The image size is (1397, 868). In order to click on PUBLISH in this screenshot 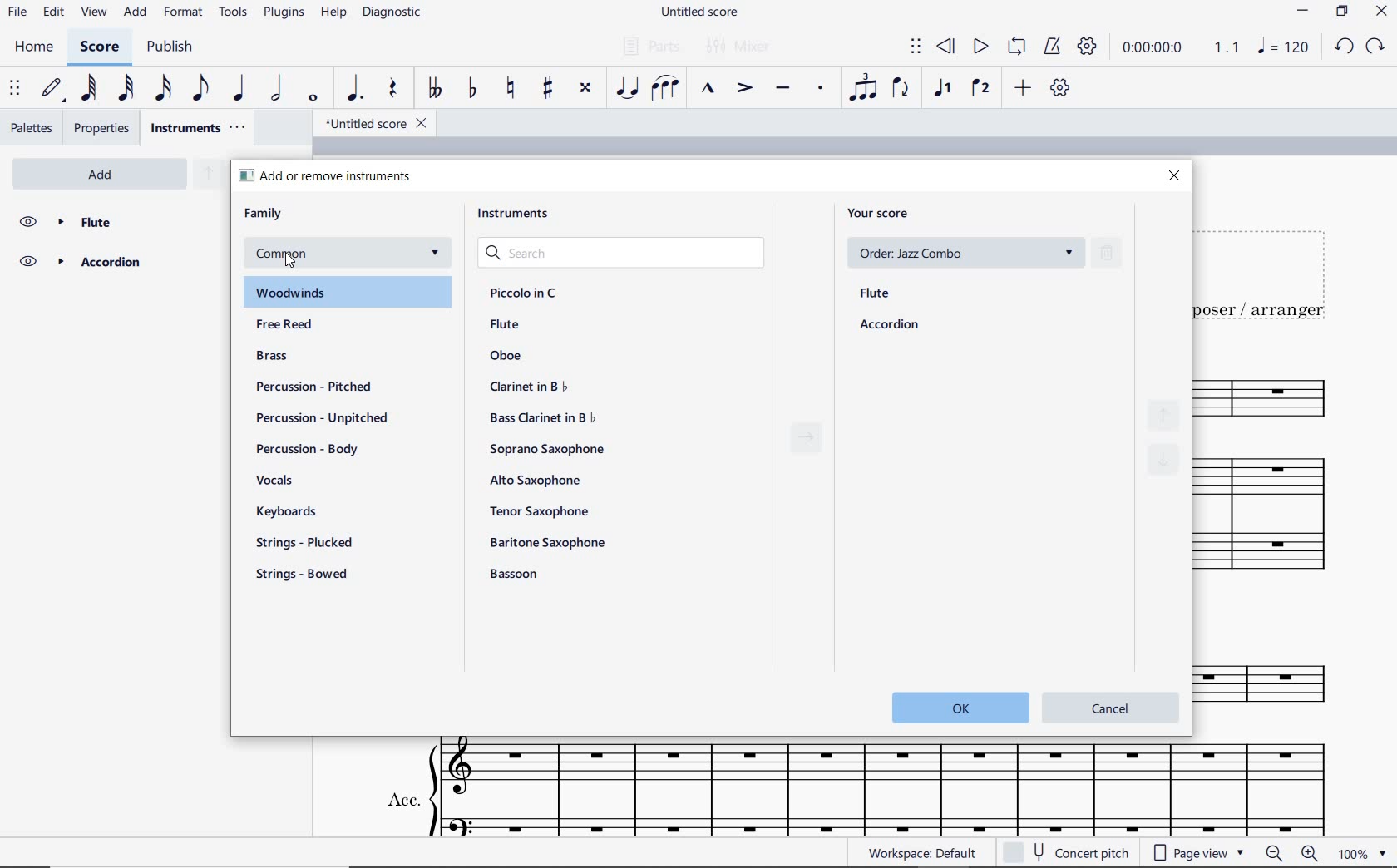, I will do `click(172, 47)`.